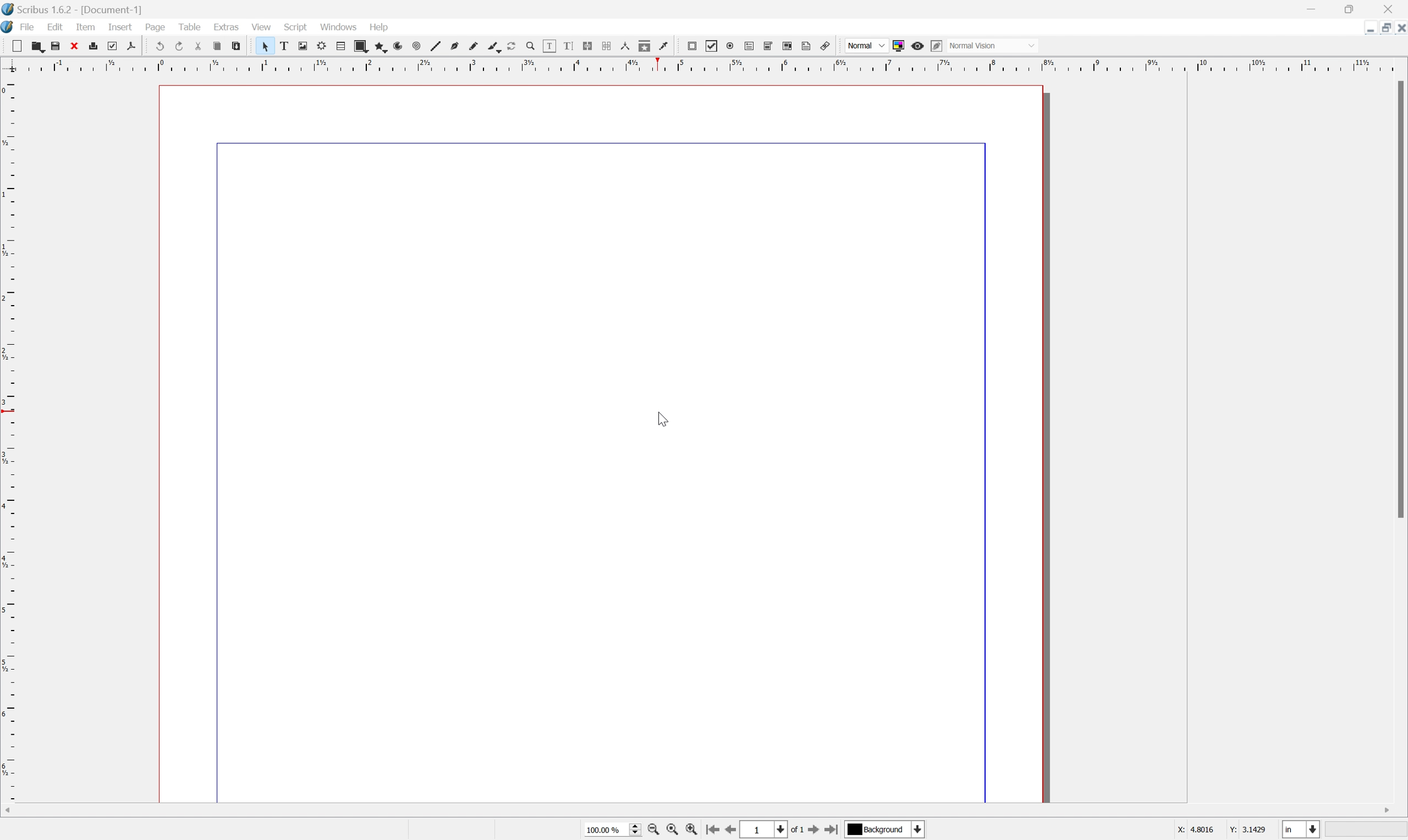 This screenshot has height=840, width=1408. What do you see at coordinates (788, 46) in the screenshot?
I see `pdf list box` at bounding box center [788, 46].